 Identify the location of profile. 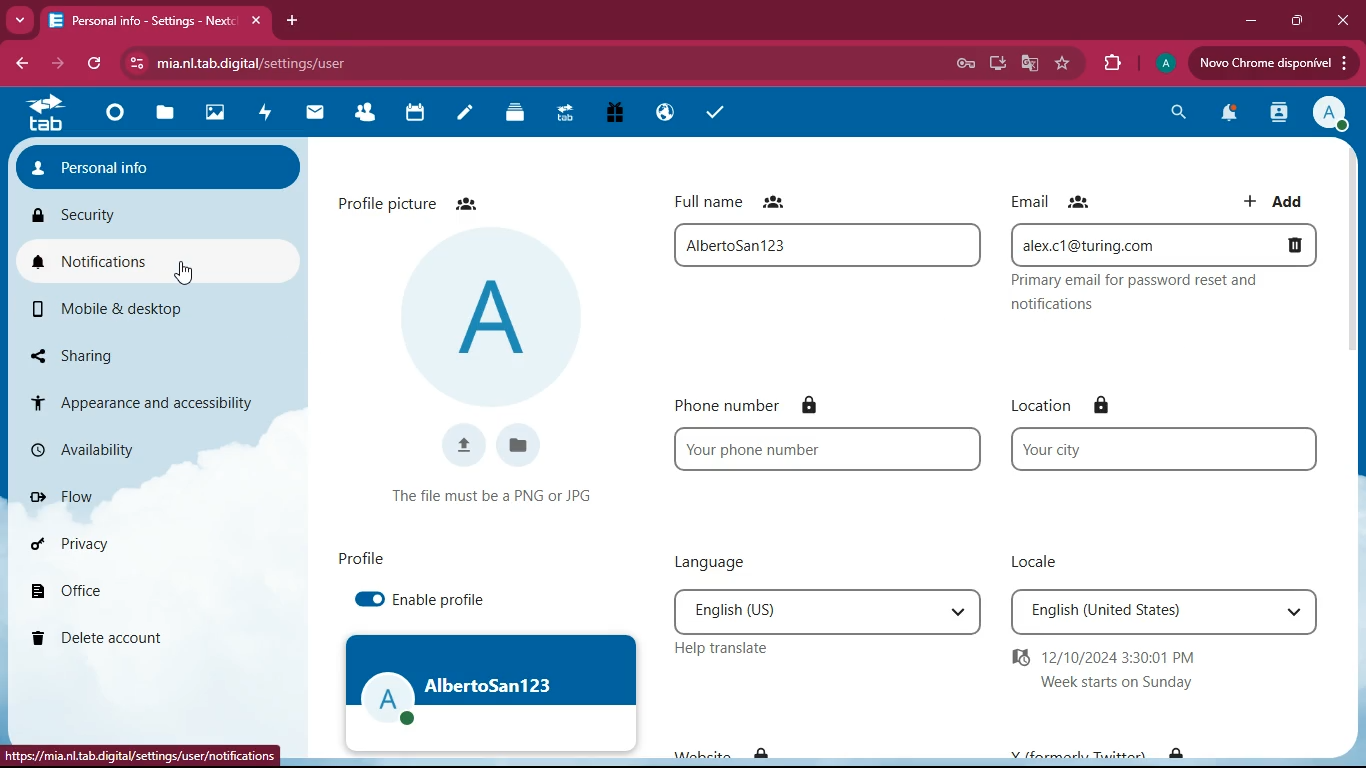
(368, 558).